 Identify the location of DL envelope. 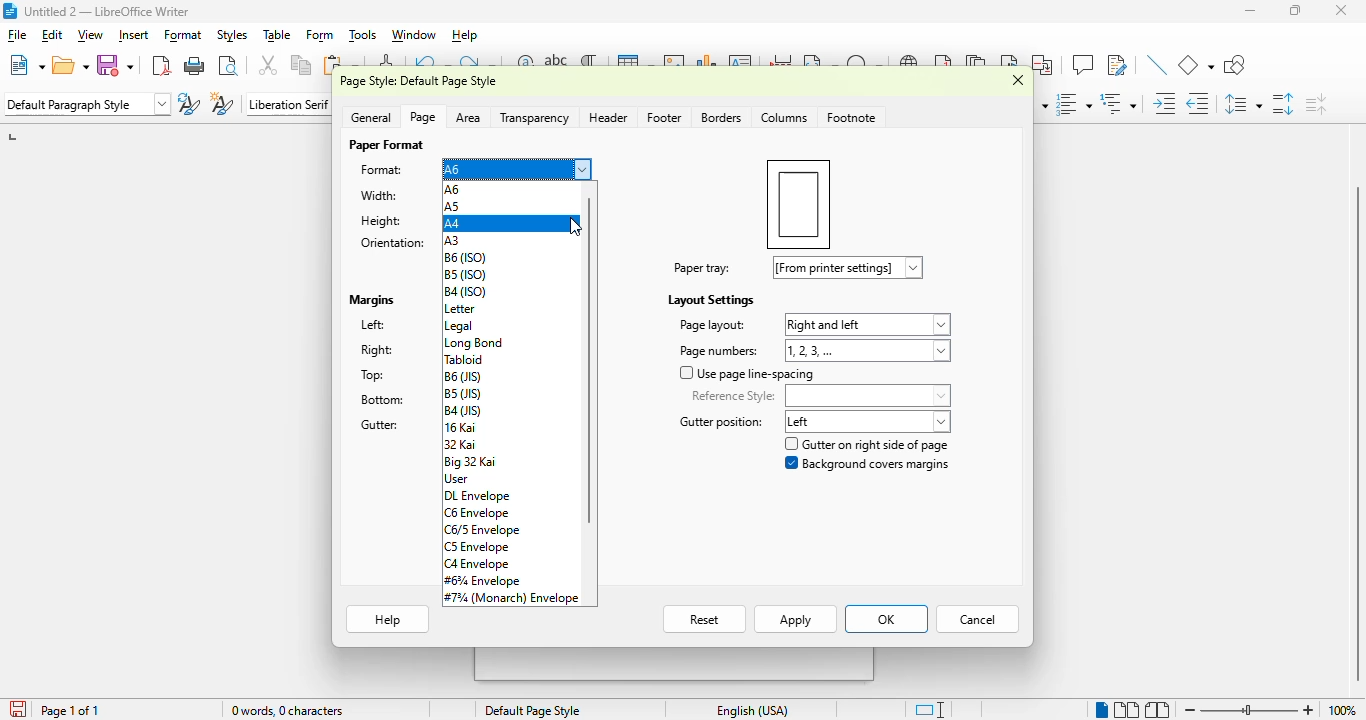
(478, 496).